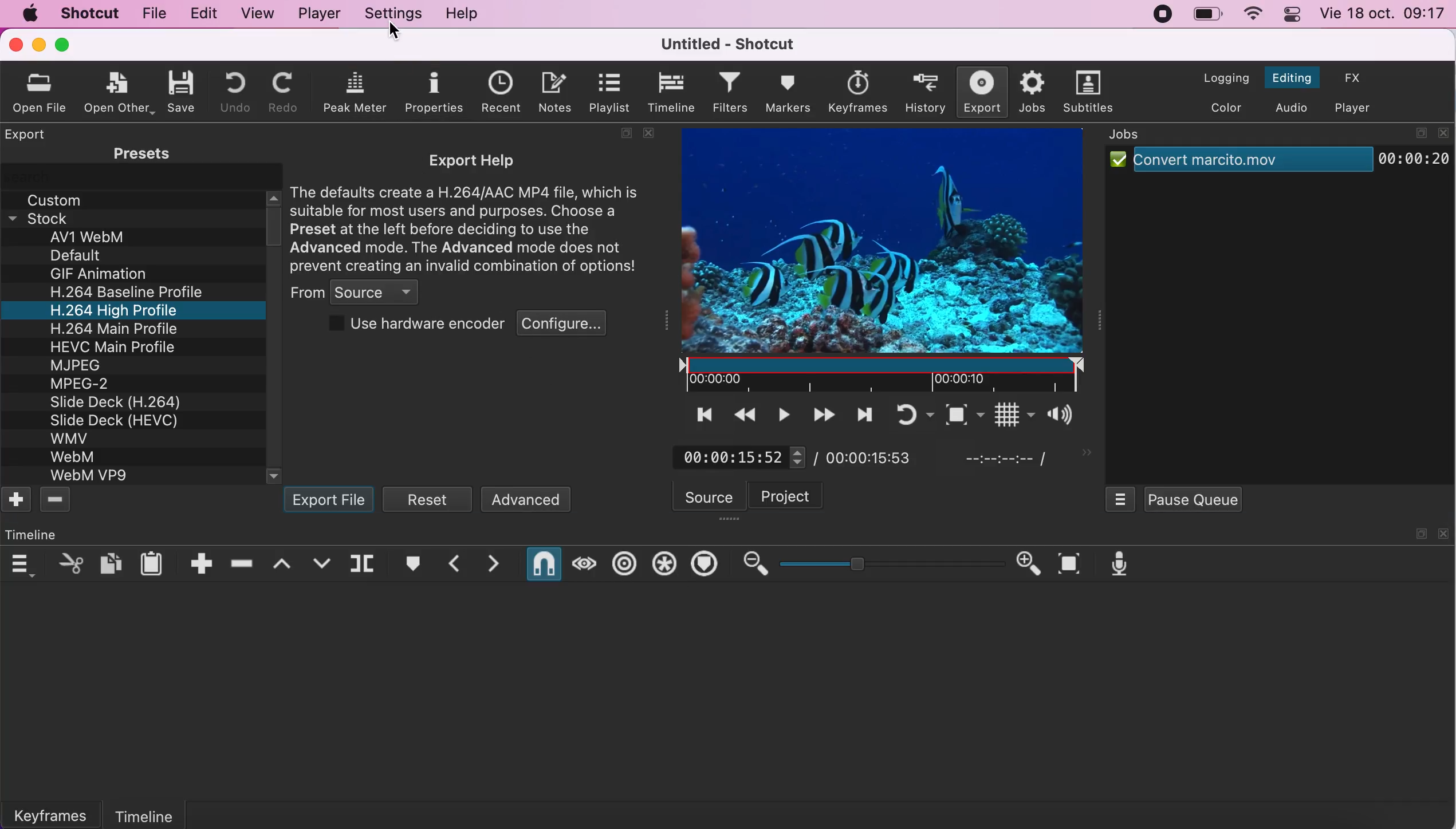 The image size is (1456, 829). Describe the element at coordinates (121, 419) in the screenshot. I see `Slide Deck (HEVC)` at that location.